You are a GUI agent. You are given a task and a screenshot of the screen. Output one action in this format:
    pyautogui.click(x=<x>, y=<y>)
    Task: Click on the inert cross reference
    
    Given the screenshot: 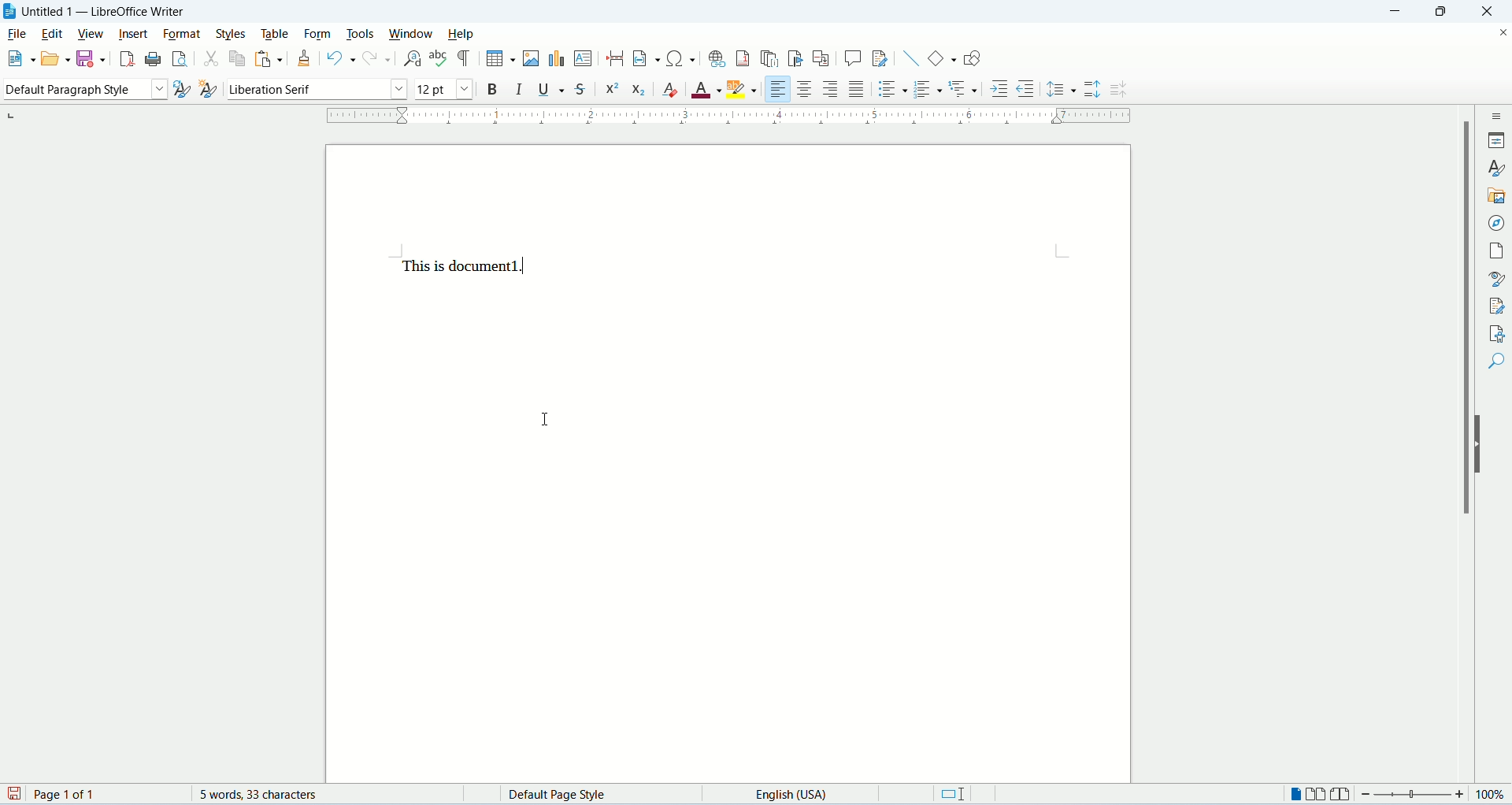 What is the action you would take?
    pyautogui.click(x=823, y=60)
    